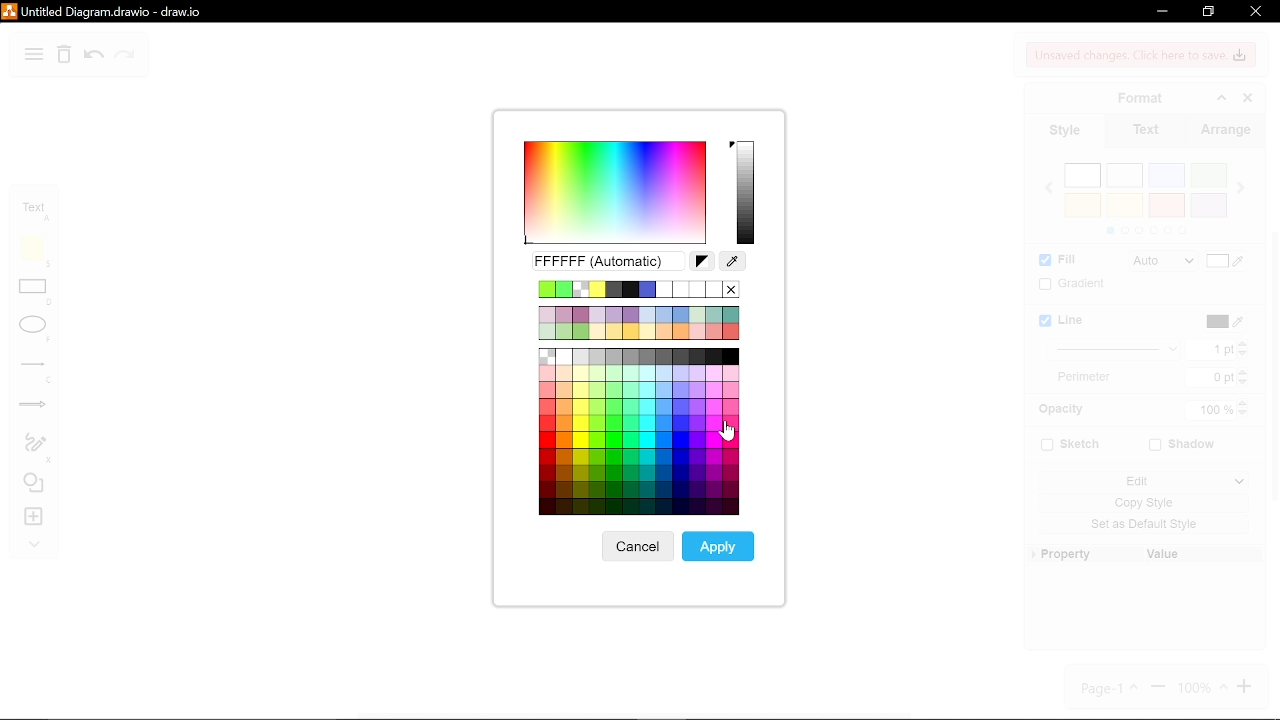  What do you see at coordinates (105, 11) in the screenshot?
I see `current window` at bounding box center [105, 11].